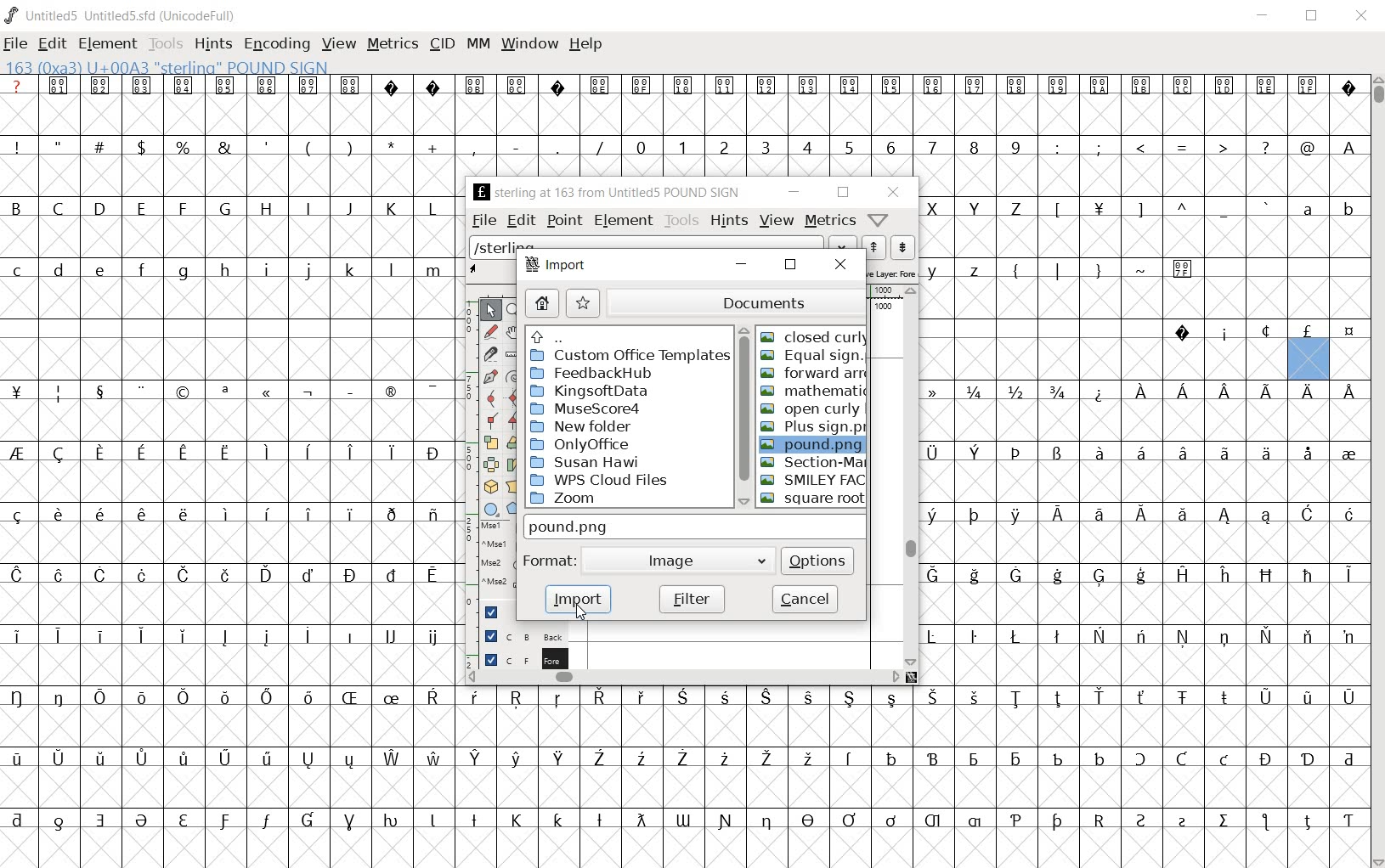 This screenshot has height=868, width=1385. What do you see at coordinates (349, 515) in the screenshot?
I see `Symbol` at bounding box center [349, 515].